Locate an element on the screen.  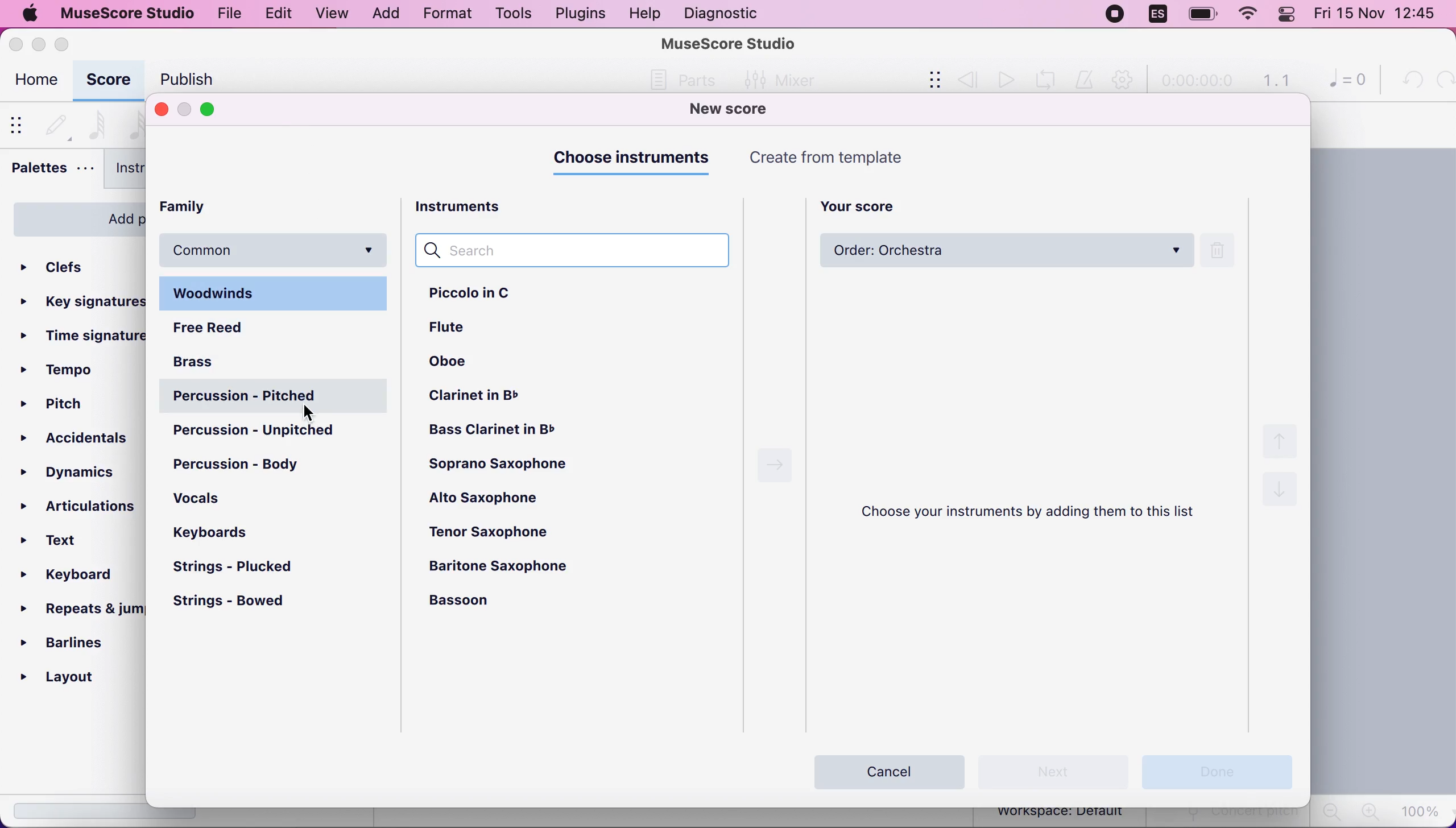
repeats and jumps is located at coordinates (79, 608).